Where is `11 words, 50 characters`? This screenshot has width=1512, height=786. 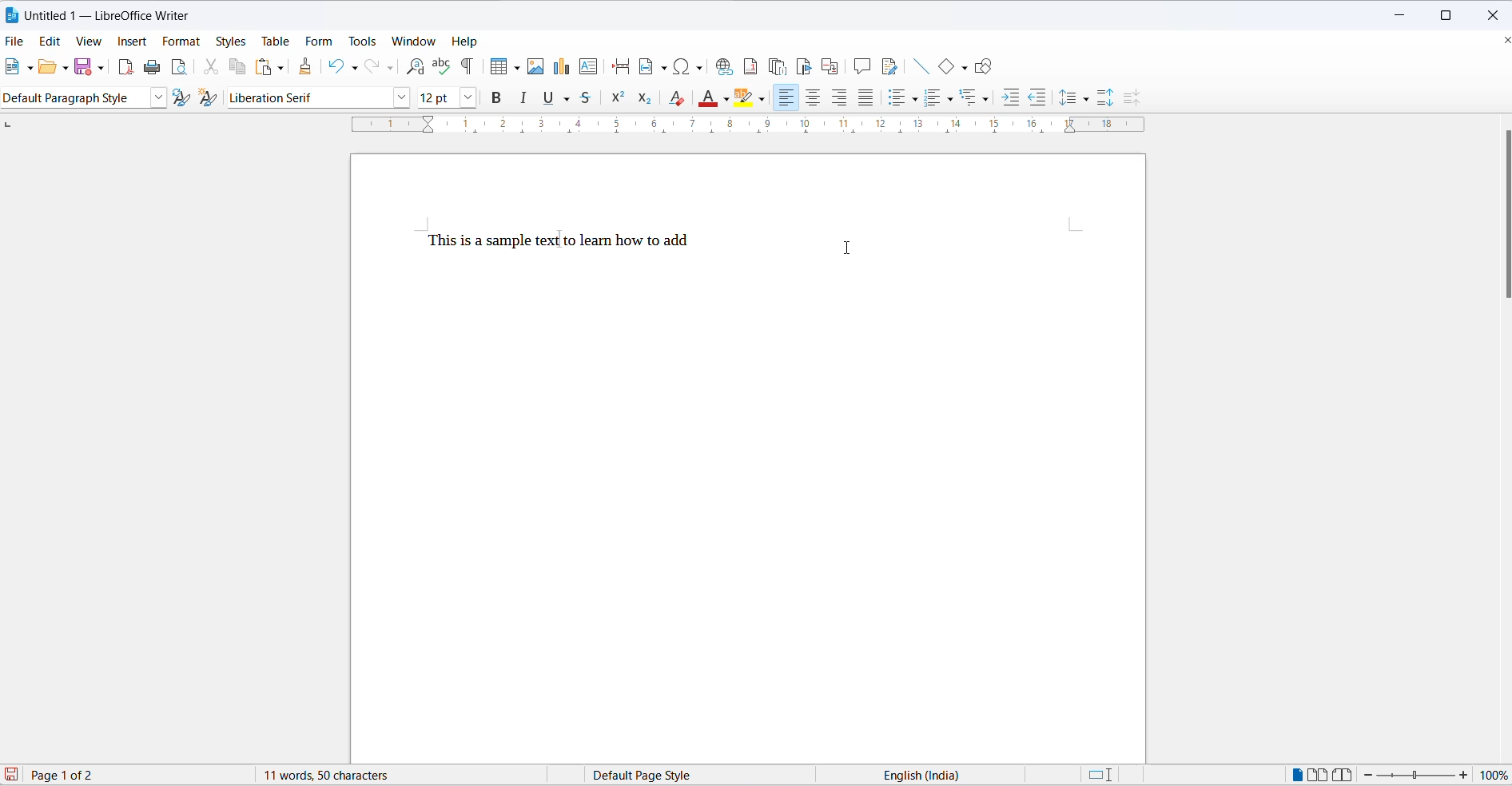
11 words, 50 characters is located at coordinates (329, 776).